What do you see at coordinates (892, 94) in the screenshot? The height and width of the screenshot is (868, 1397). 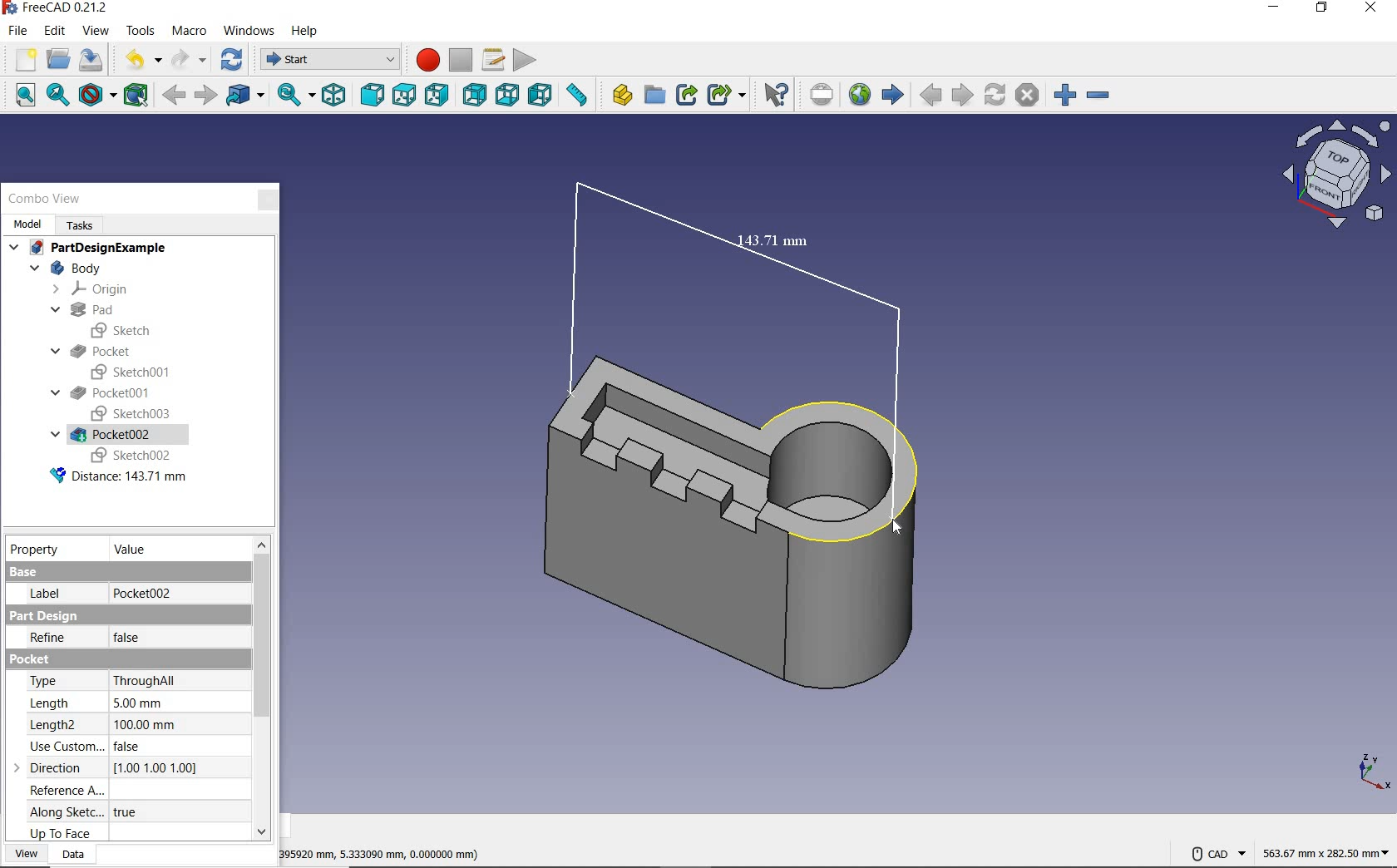 I see `start page` at bounding box center [892, 94].